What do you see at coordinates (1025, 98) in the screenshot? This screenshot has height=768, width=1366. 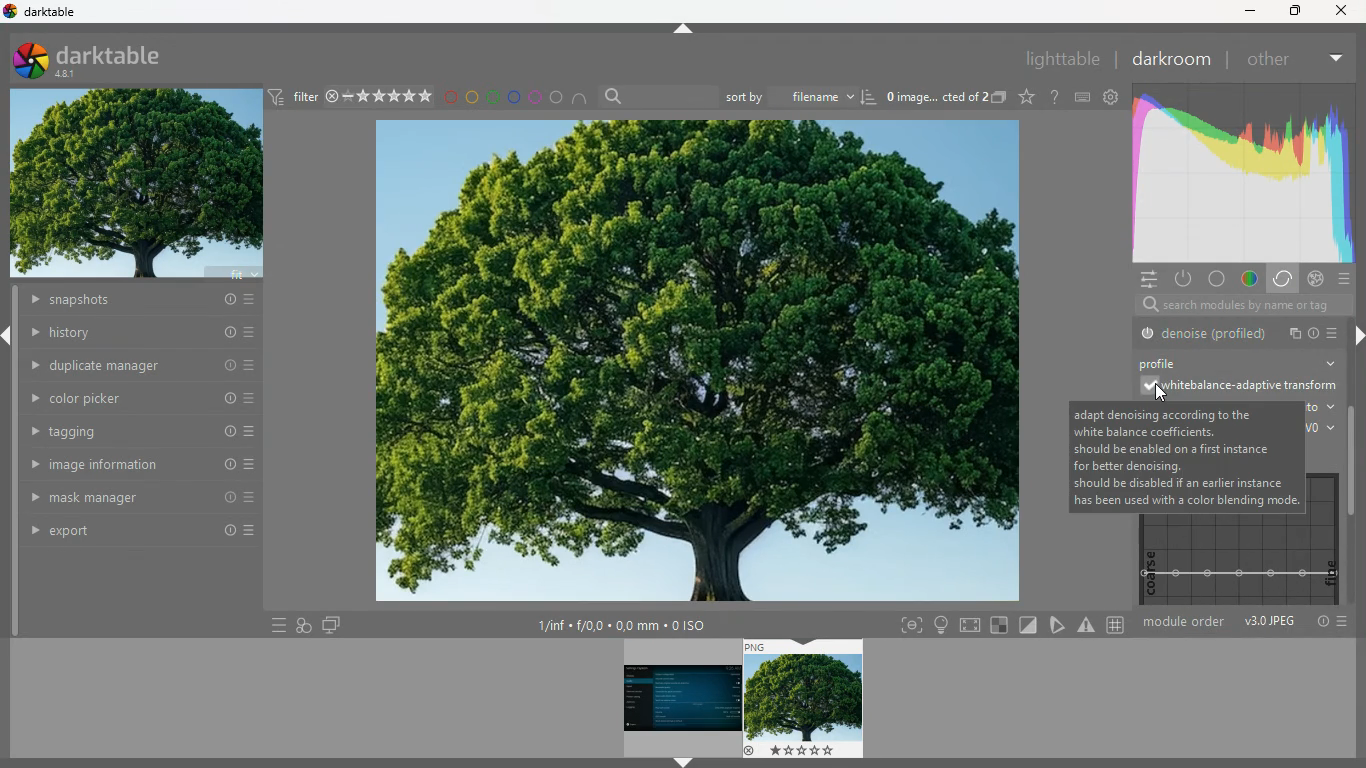 I see `favorite` at bounding box center [1025, 98].